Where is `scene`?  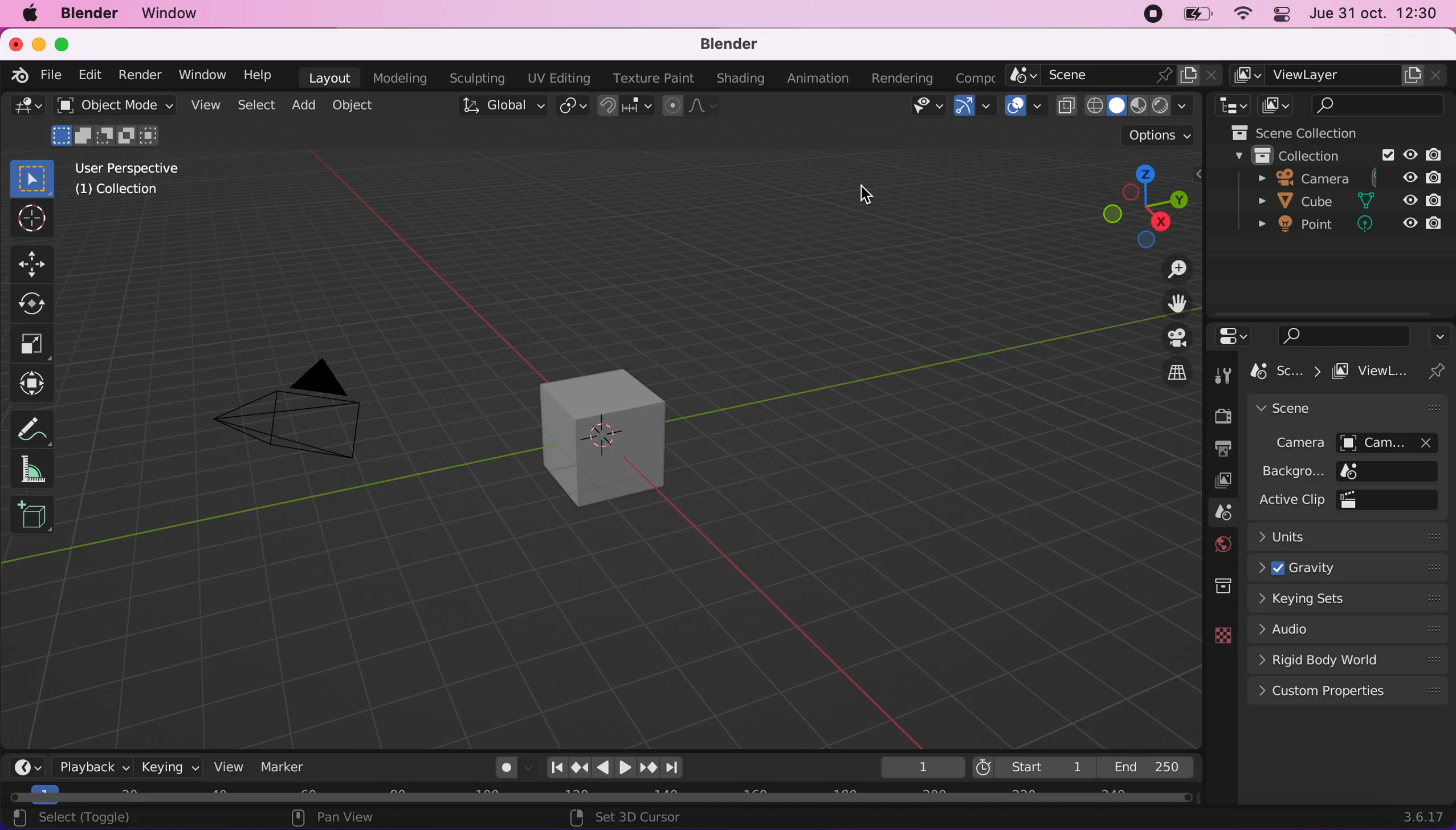 scene is located at coordinates (1288, 372).